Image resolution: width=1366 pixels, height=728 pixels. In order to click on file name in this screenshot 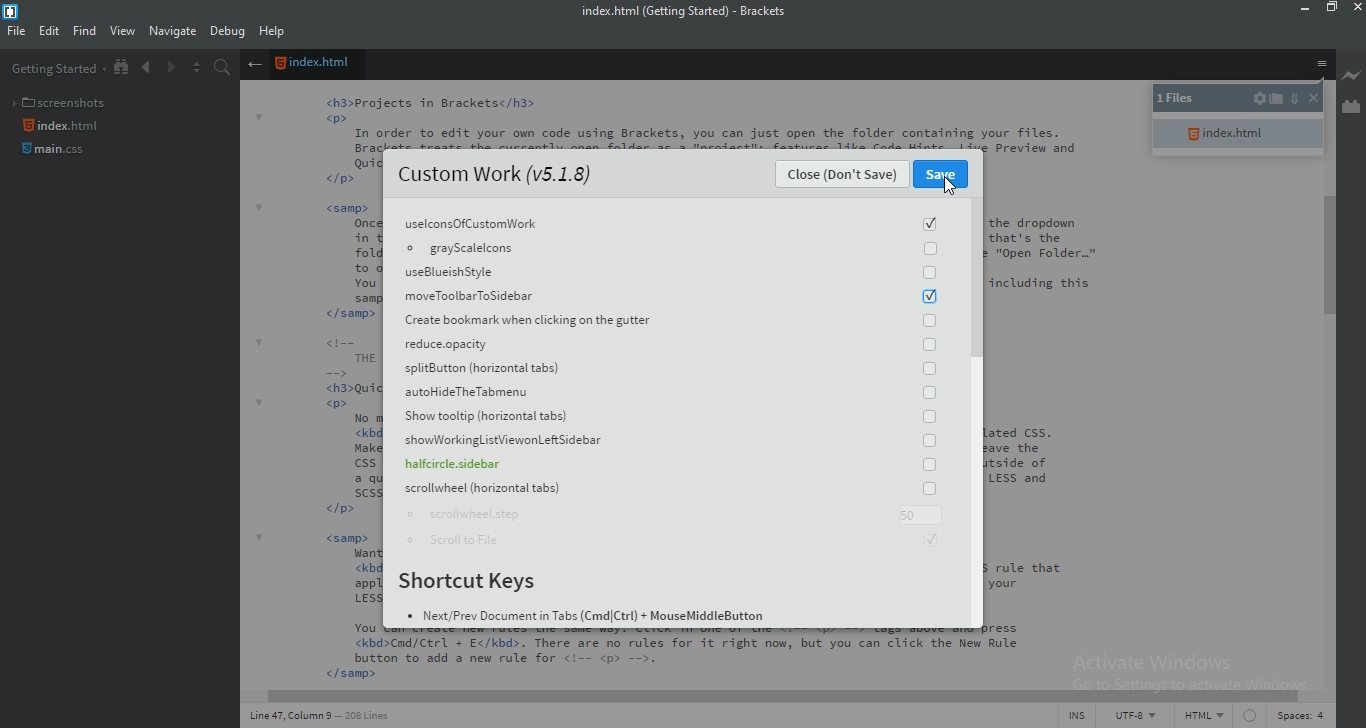, I will do `click(691, 12)`.